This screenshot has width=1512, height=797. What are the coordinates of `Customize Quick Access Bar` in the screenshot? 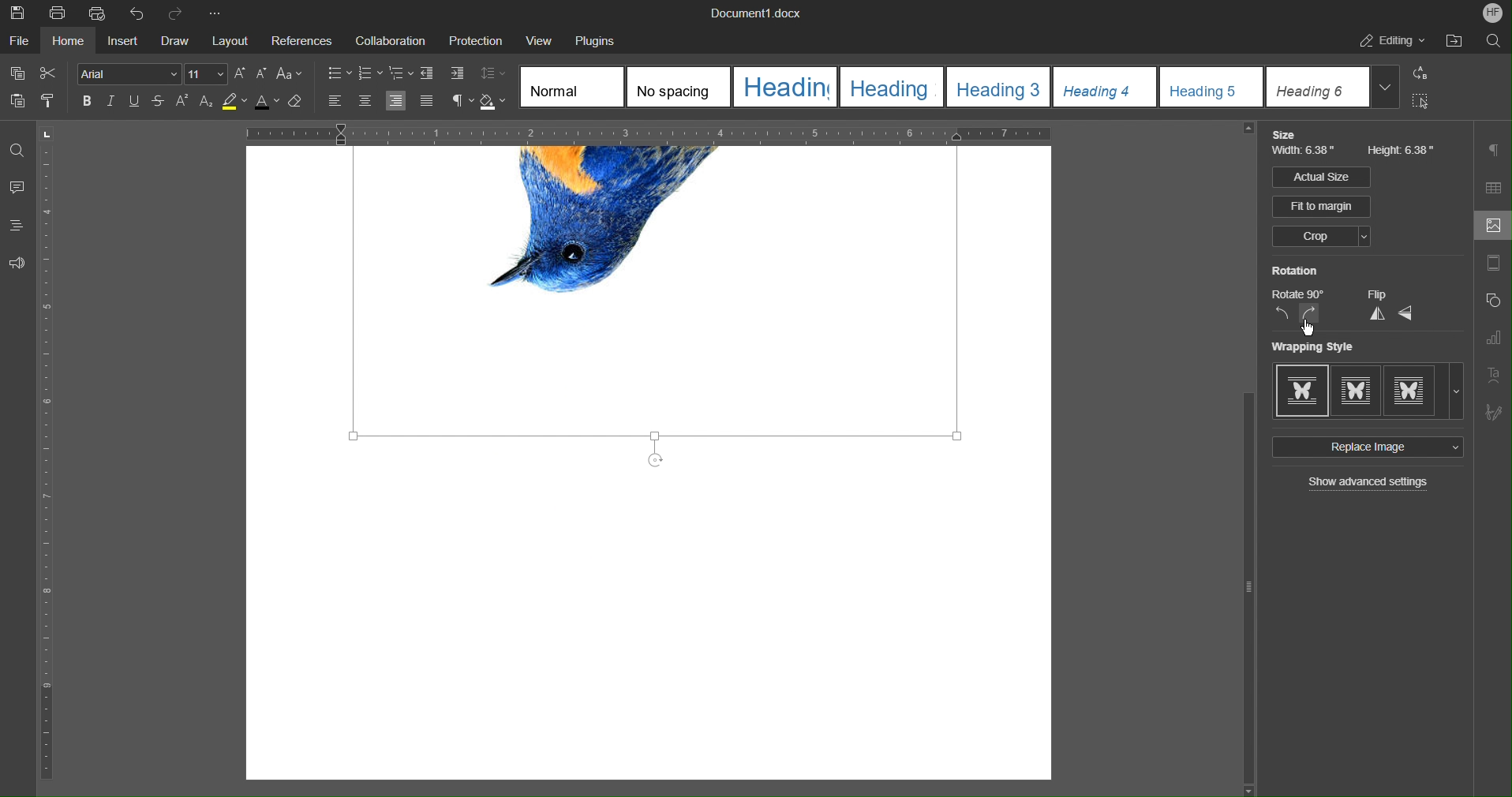 It's located at (214, 11).